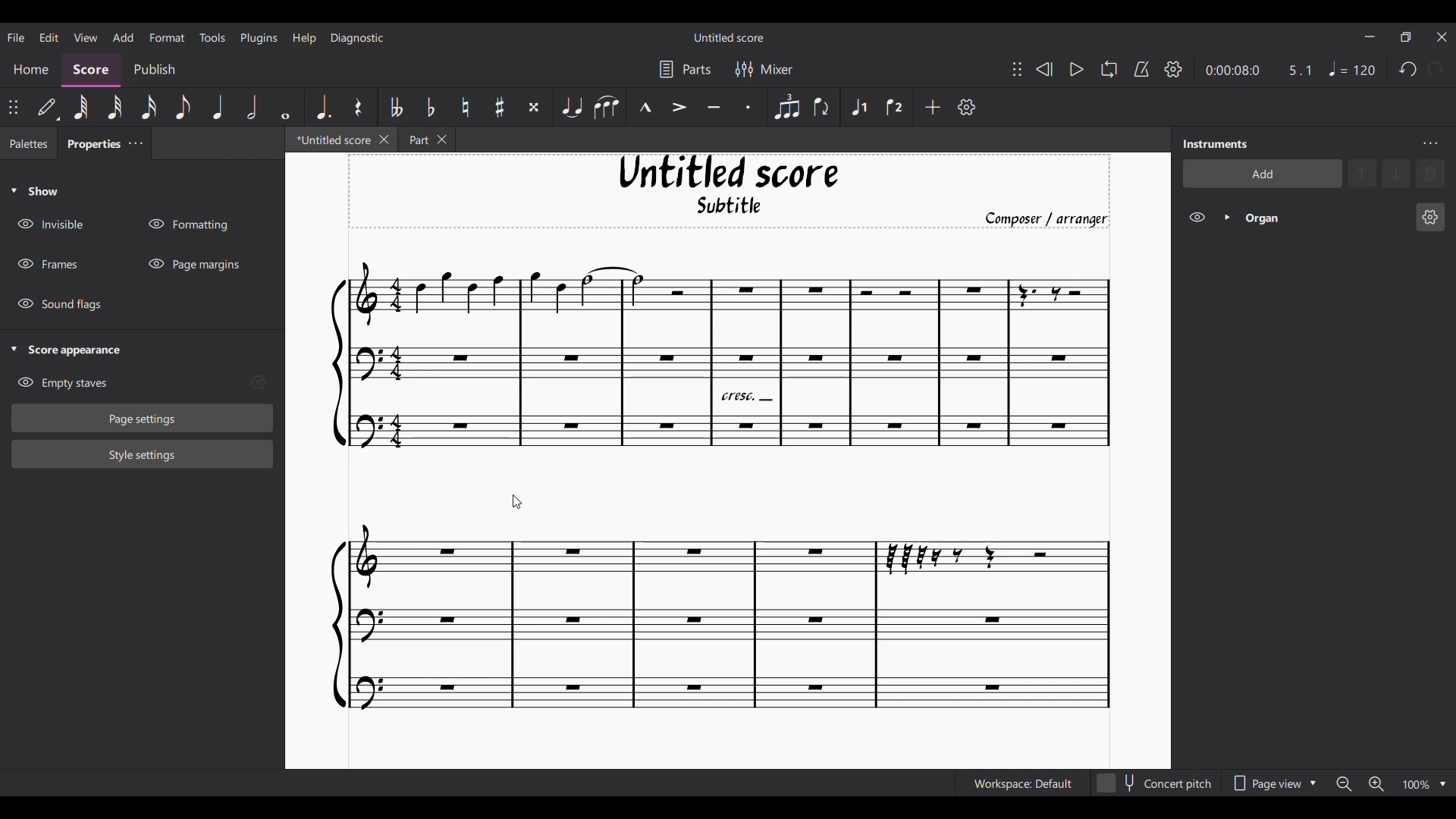 This screenshot has height=819, width=1456. What do you see at coordinates (1443, 784) in the screenshot?
I see `Zoom options` at bounding box center [1443, 784].